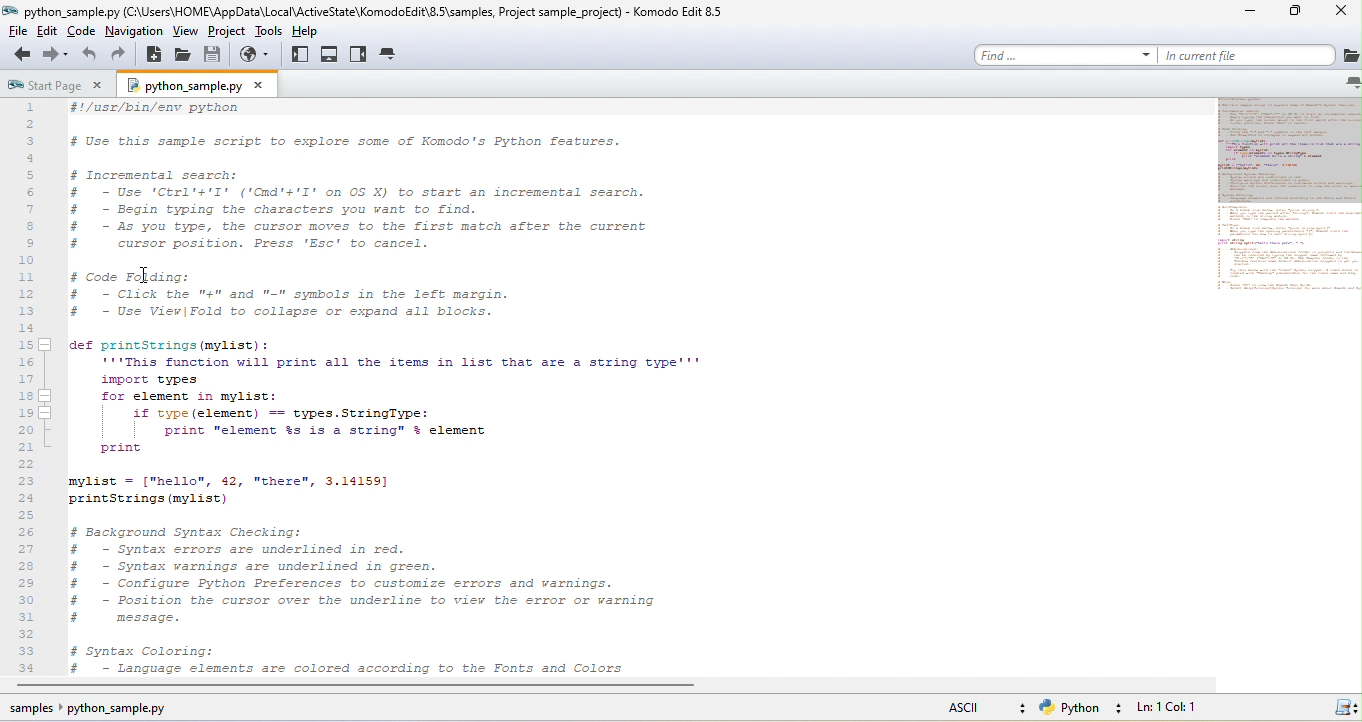 This screenshot has width=1362, height=722. What do you see at coordinates (122, 57) in the screenshot?
I see `redo` at bounding box center [122, 57].